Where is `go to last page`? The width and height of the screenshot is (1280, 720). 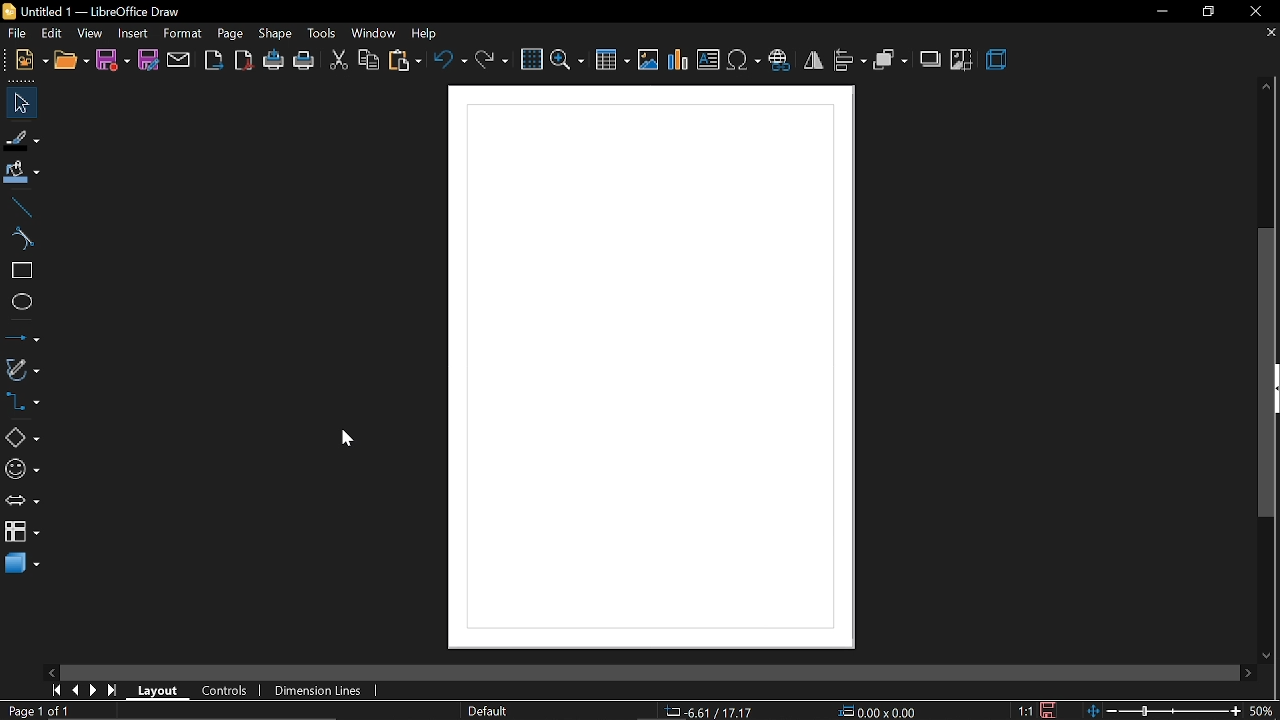
go to last page is located at coordinates (114, 691).